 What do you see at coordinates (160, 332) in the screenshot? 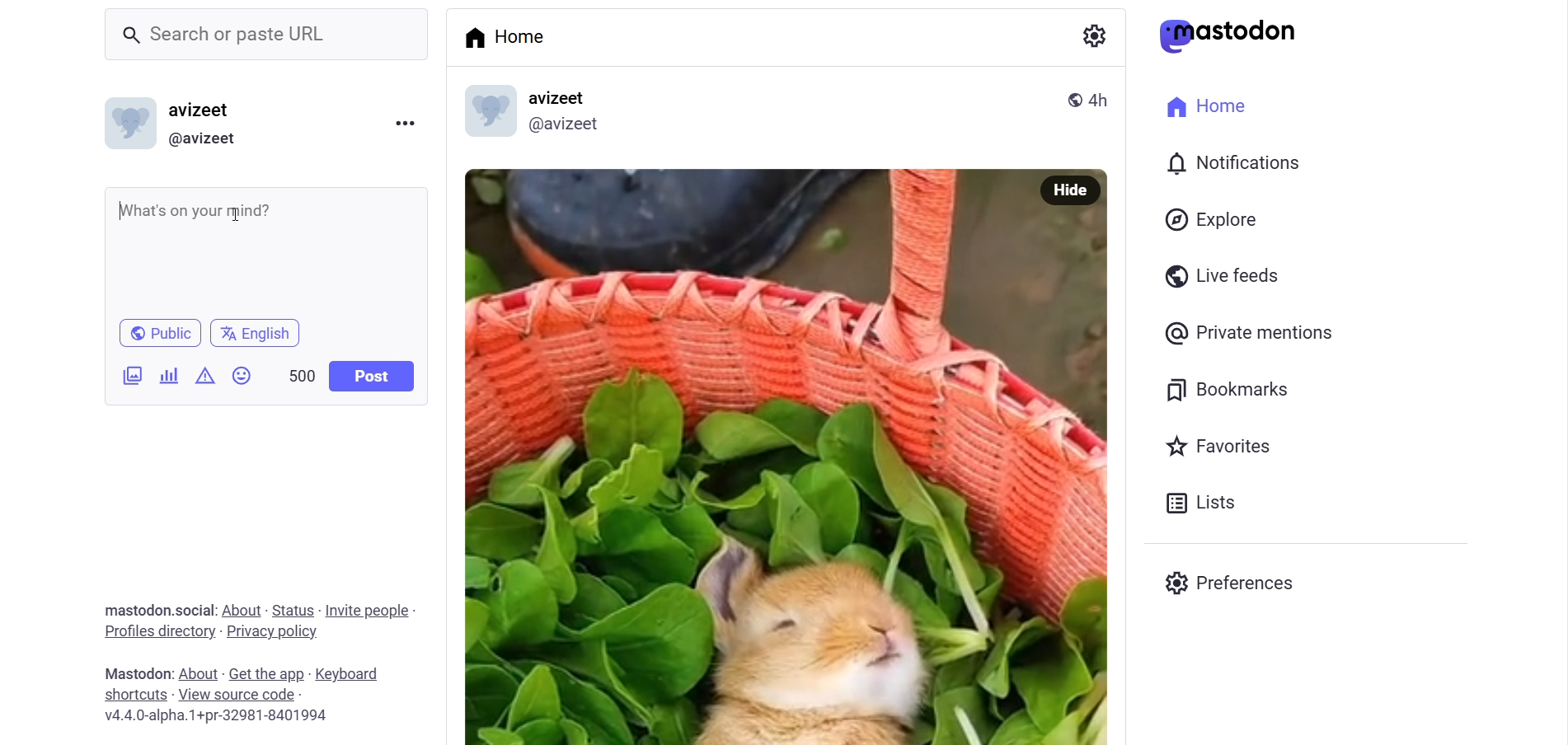
I see `Public` at bounding box center [160, 332].